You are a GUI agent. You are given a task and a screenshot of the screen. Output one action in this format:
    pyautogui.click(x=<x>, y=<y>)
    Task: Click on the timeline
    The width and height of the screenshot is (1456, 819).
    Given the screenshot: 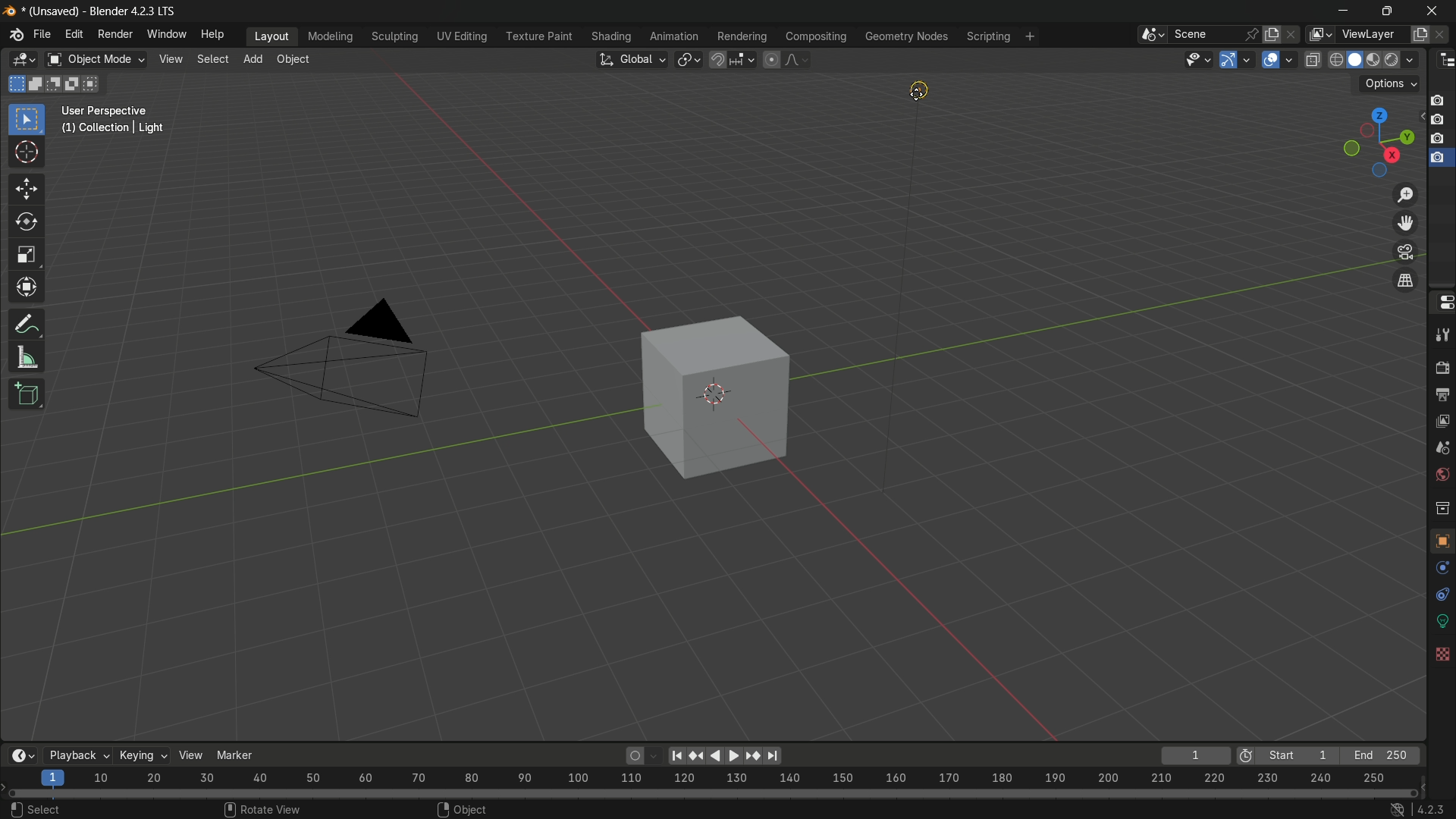 What is the action you would take?
    pyautogui.click(x=24, y=753)
    